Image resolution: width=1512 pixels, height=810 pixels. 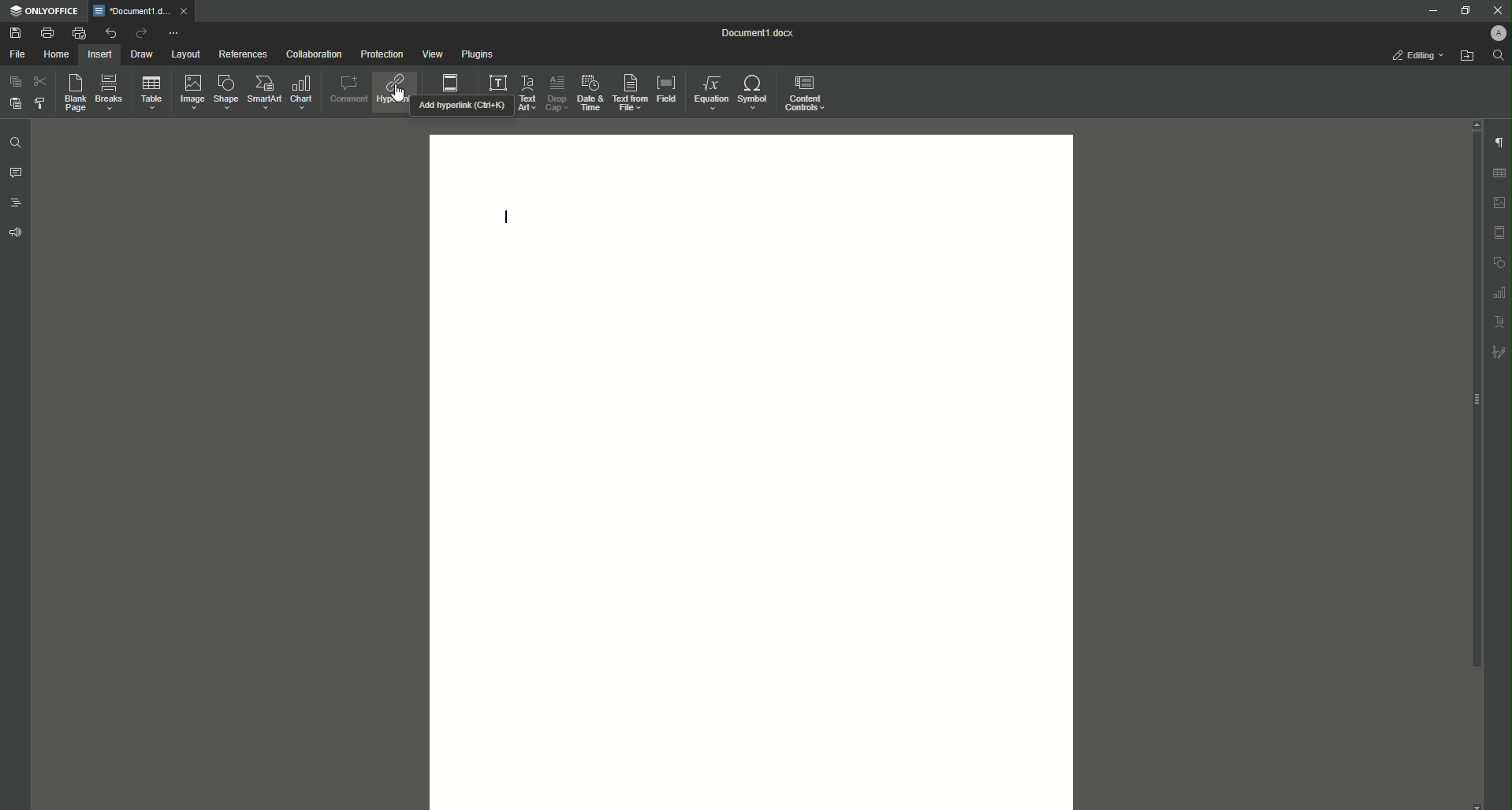 I want to click on Blank Page, so click(x=74, y=92).